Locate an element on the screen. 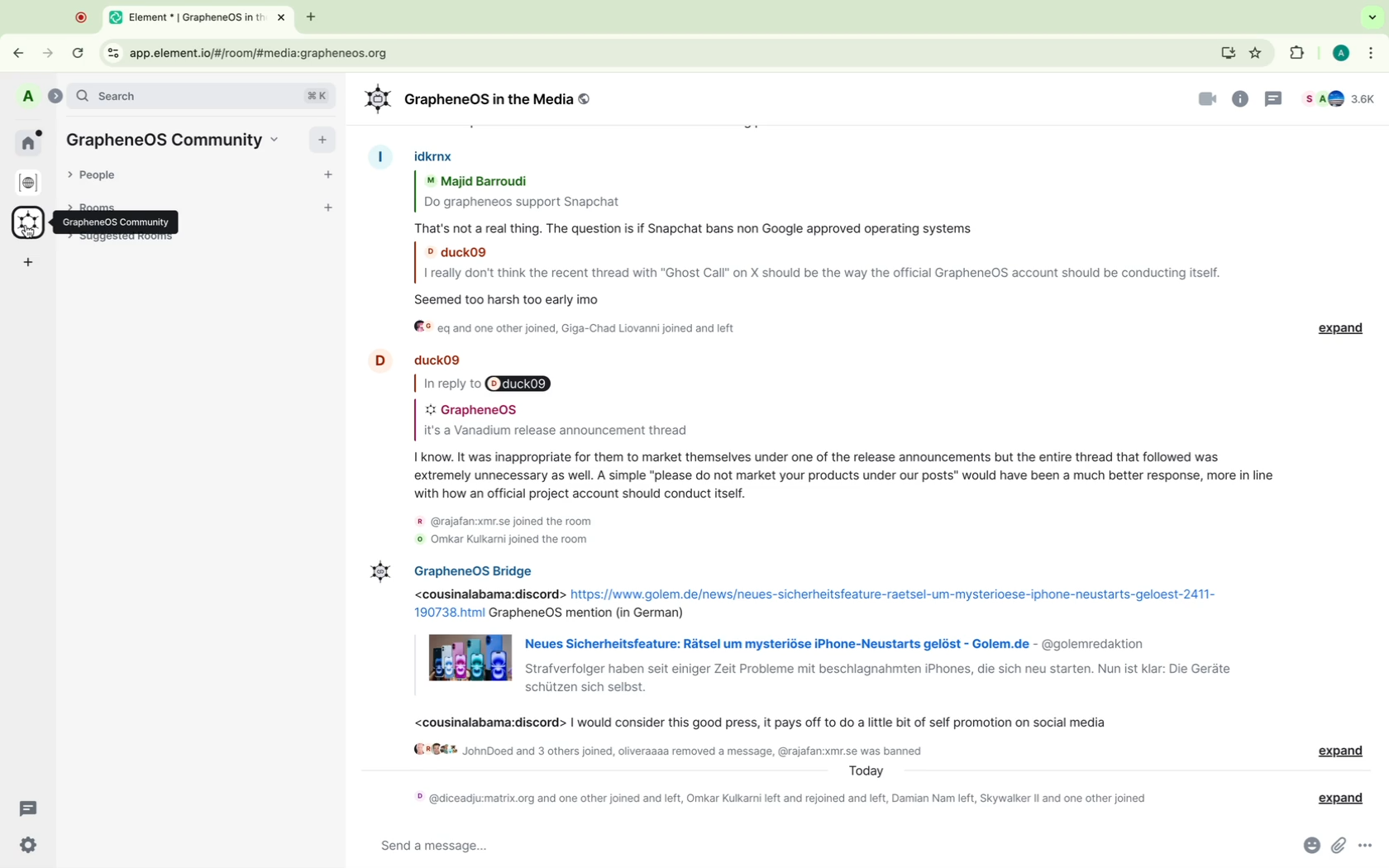 This screenshot has height=868, width=1389. Add community is located at coordinates (323, 139).